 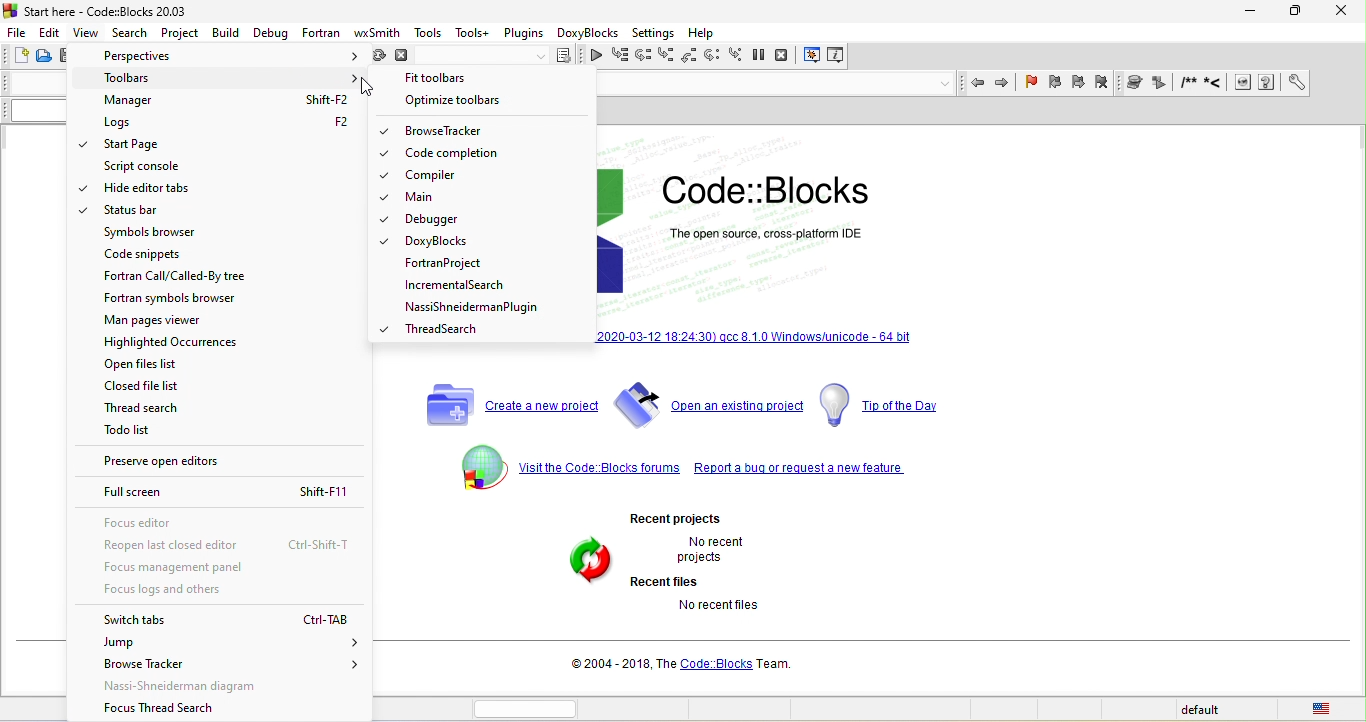 I want to click on code completion, so click(x=440, y=155).